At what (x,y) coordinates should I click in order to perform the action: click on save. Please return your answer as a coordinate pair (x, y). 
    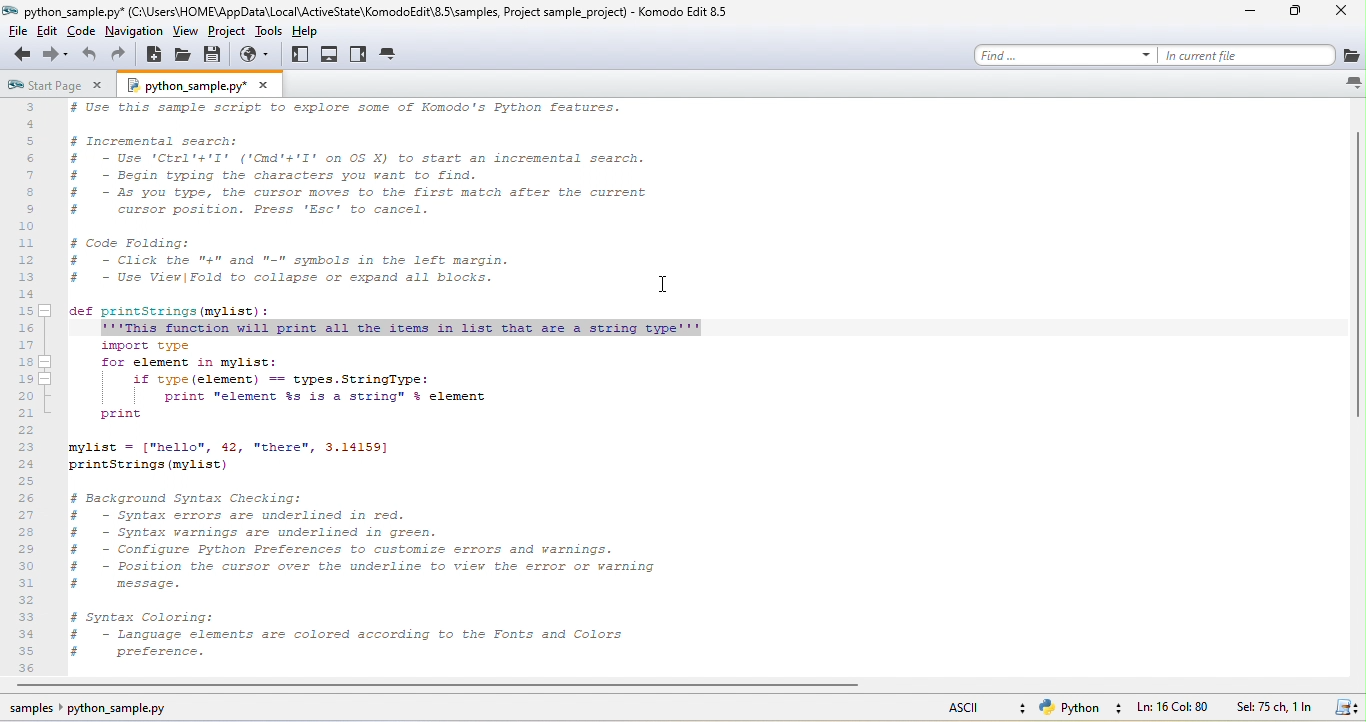
    Looking at the image, I should click on (1344, 708).